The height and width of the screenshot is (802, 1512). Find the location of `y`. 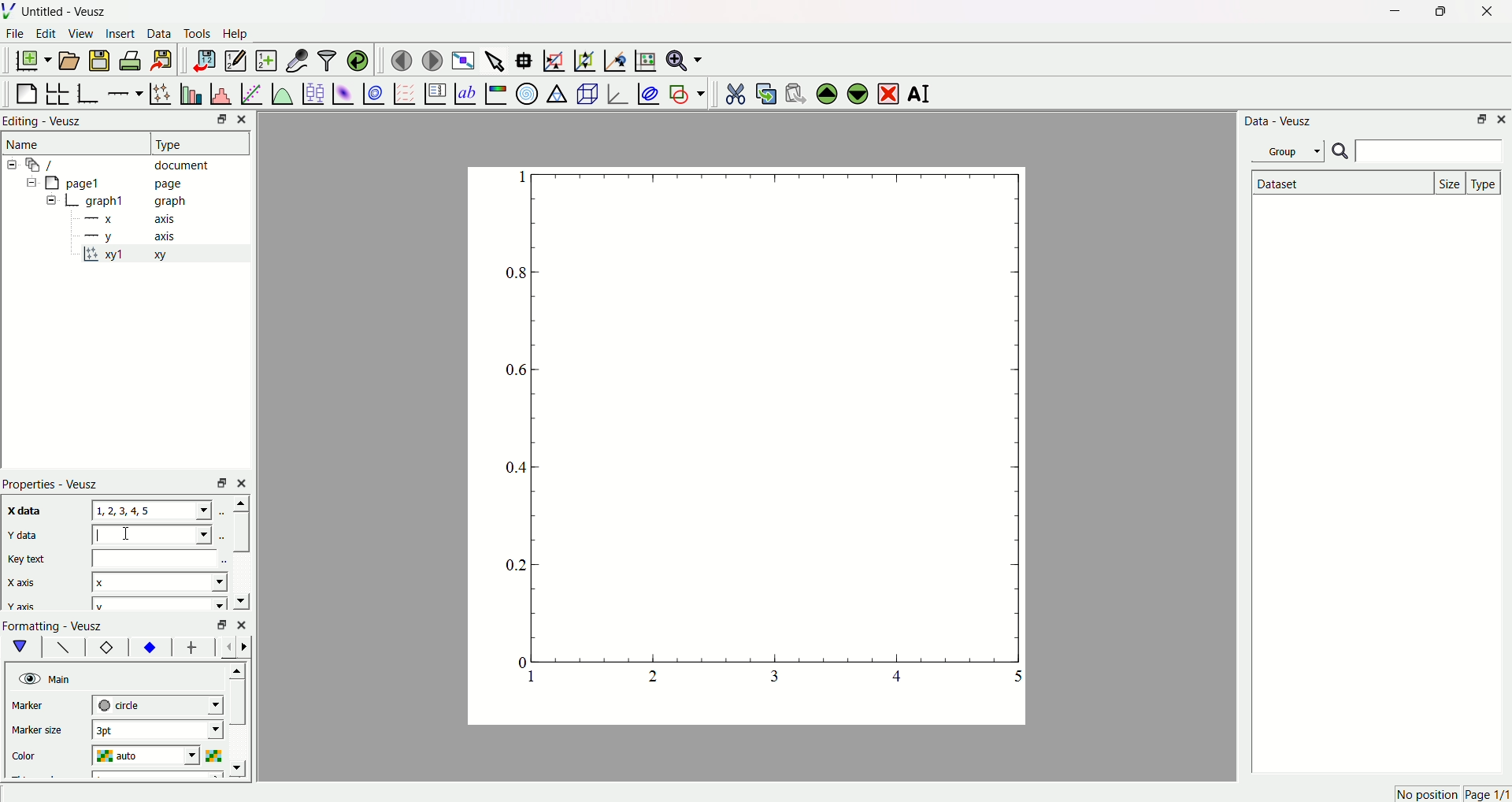

y is located at coordinates (156, 604).